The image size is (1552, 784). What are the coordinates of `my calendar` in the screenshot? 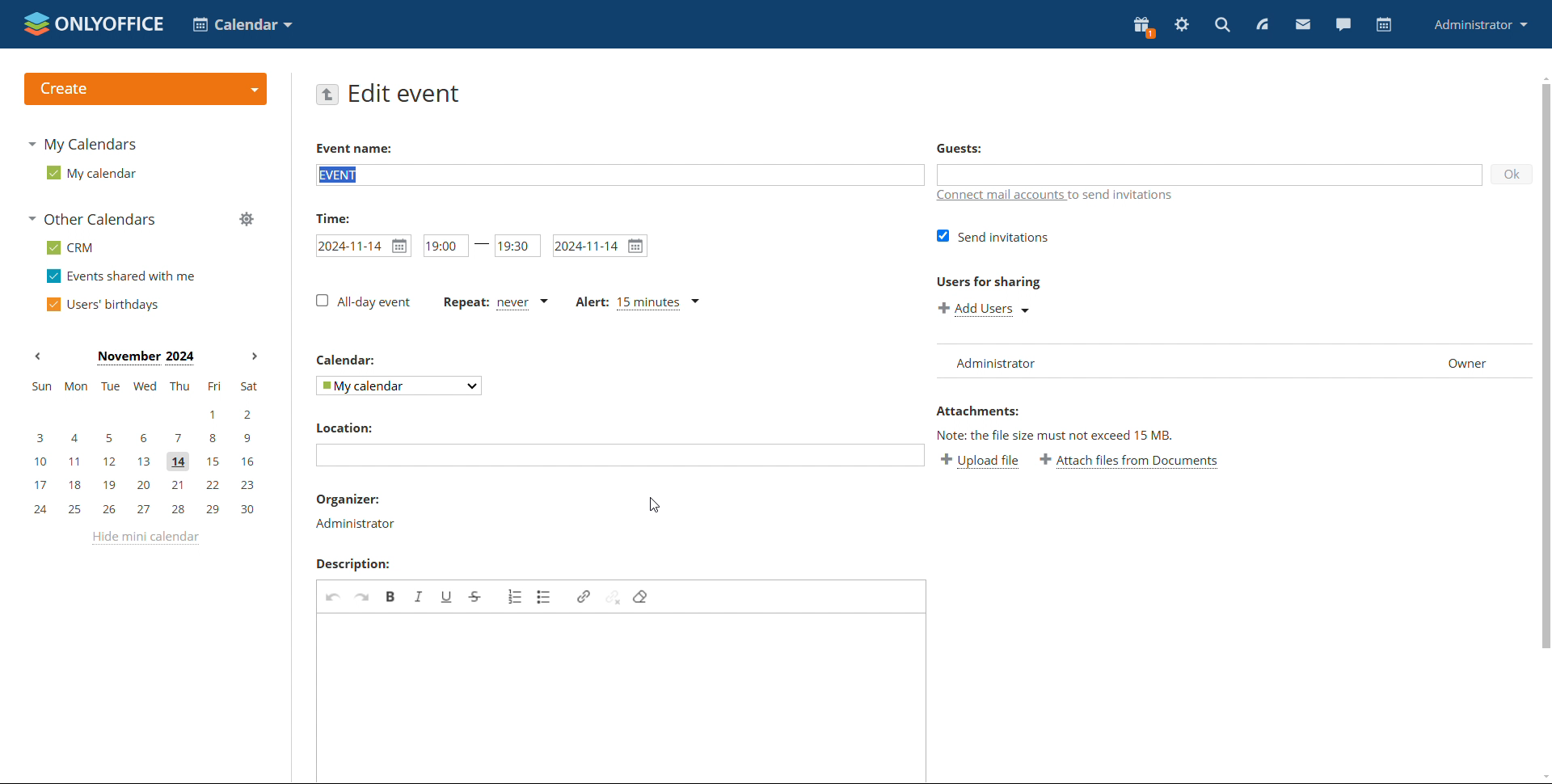 It's located at (92, 173).